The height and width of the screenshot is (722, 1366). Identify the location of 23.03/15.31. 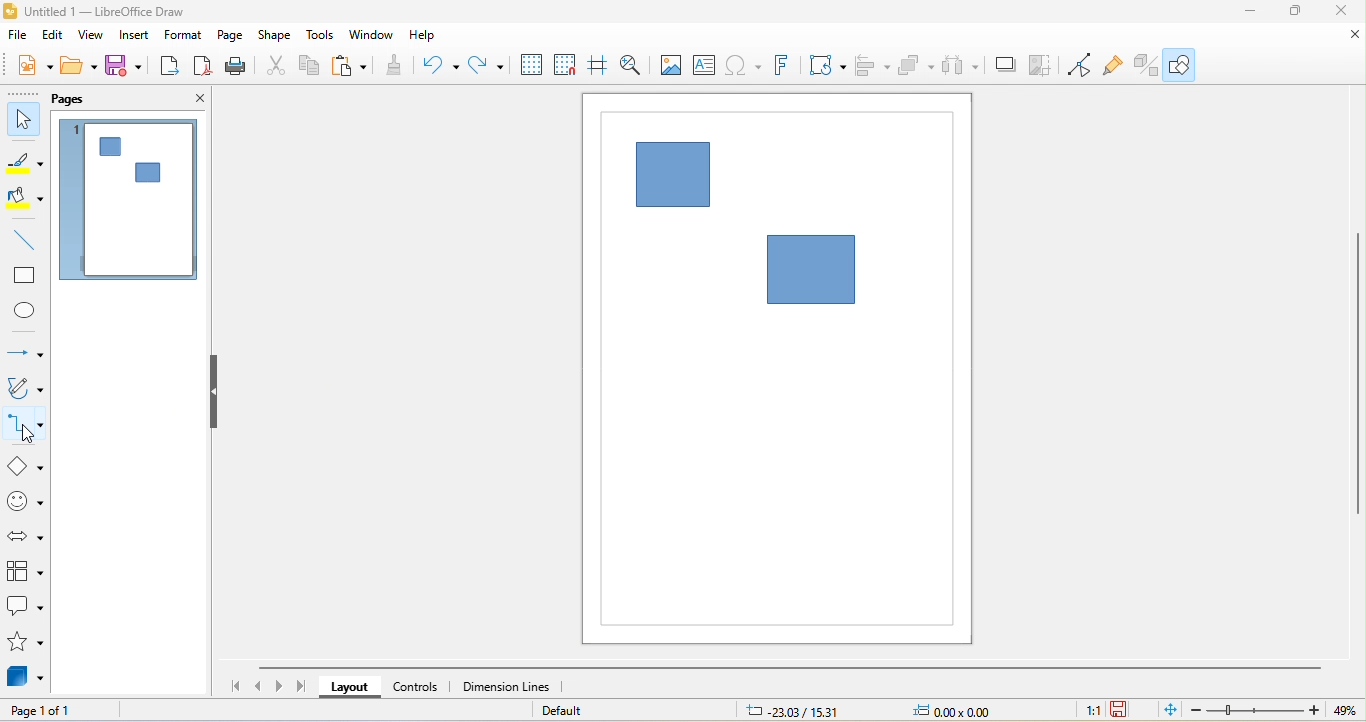
(800, 712).